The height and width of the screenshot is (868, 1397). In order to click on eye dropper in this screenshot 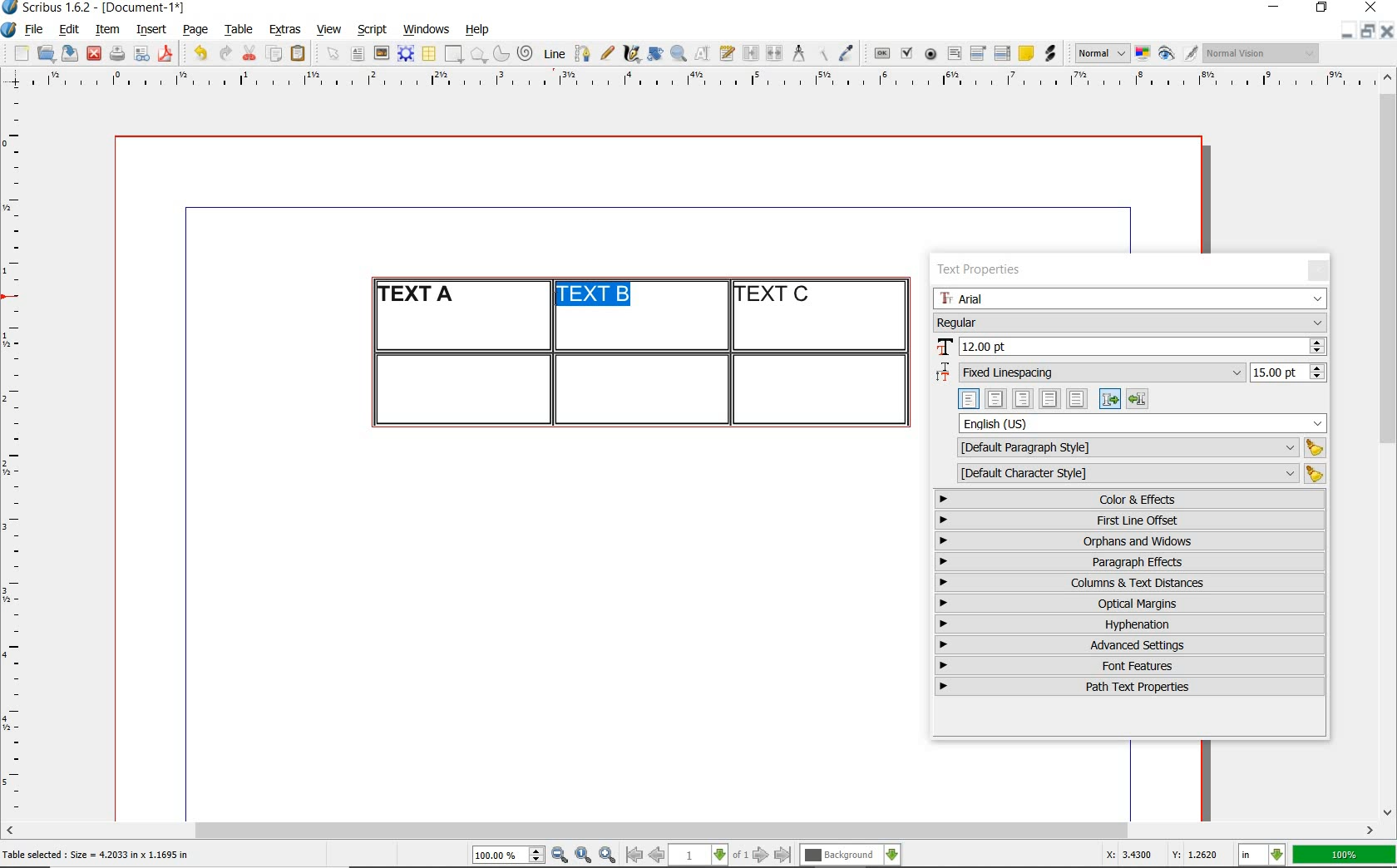, I will do `click(846, 55)`.